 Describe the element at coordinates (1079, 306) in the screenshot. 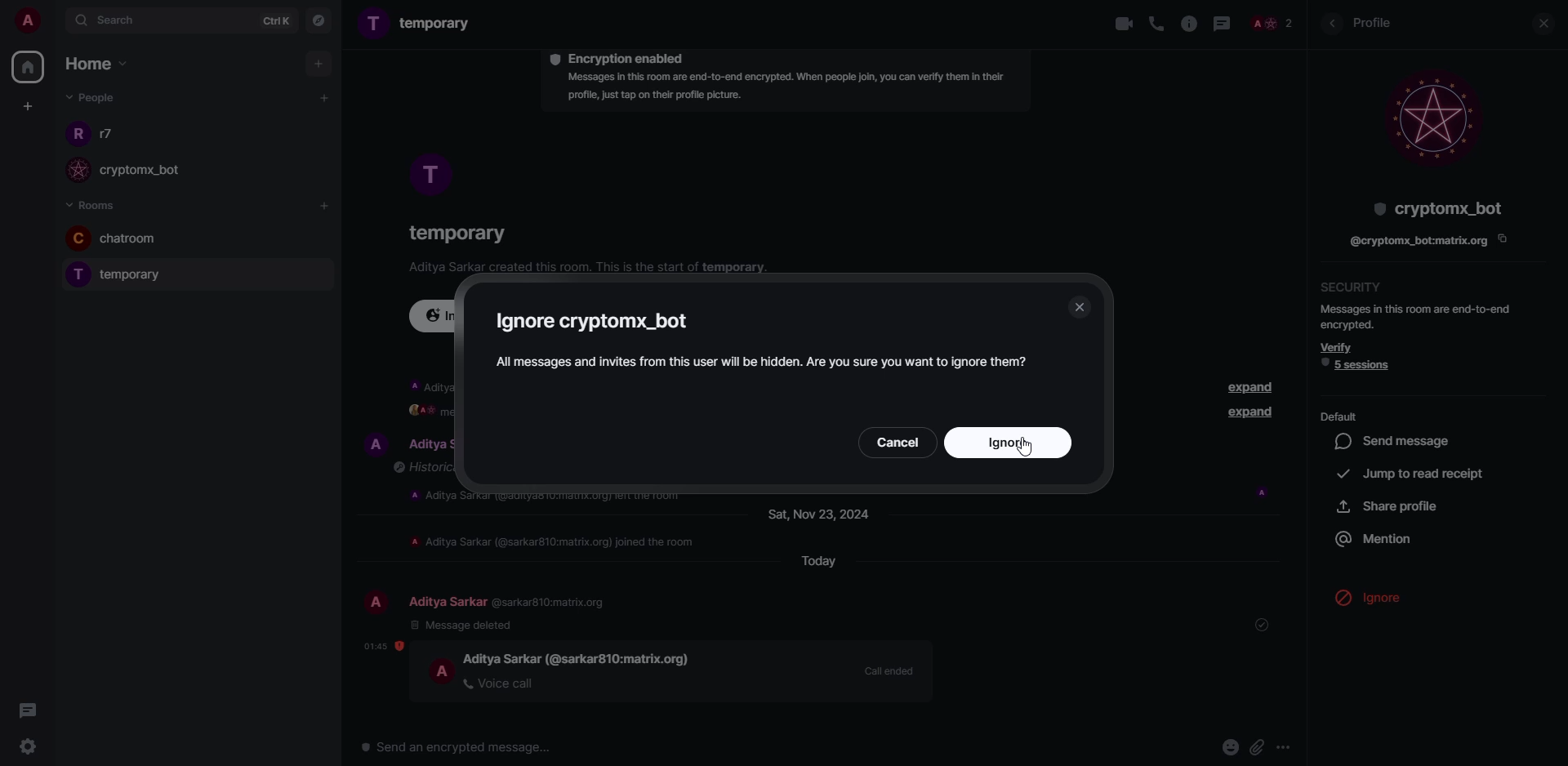

I see `close` at that location.